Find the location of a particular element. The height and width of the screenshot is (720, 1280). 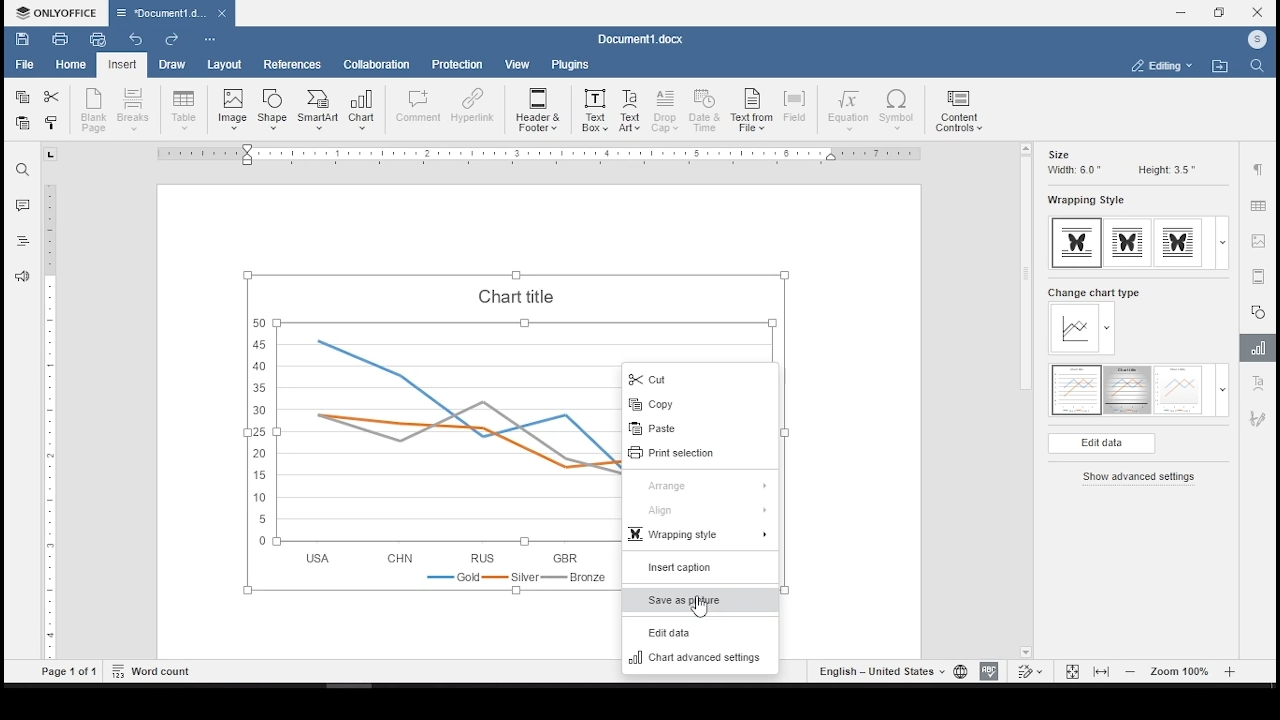

equation is located at coordinates (849, 110).